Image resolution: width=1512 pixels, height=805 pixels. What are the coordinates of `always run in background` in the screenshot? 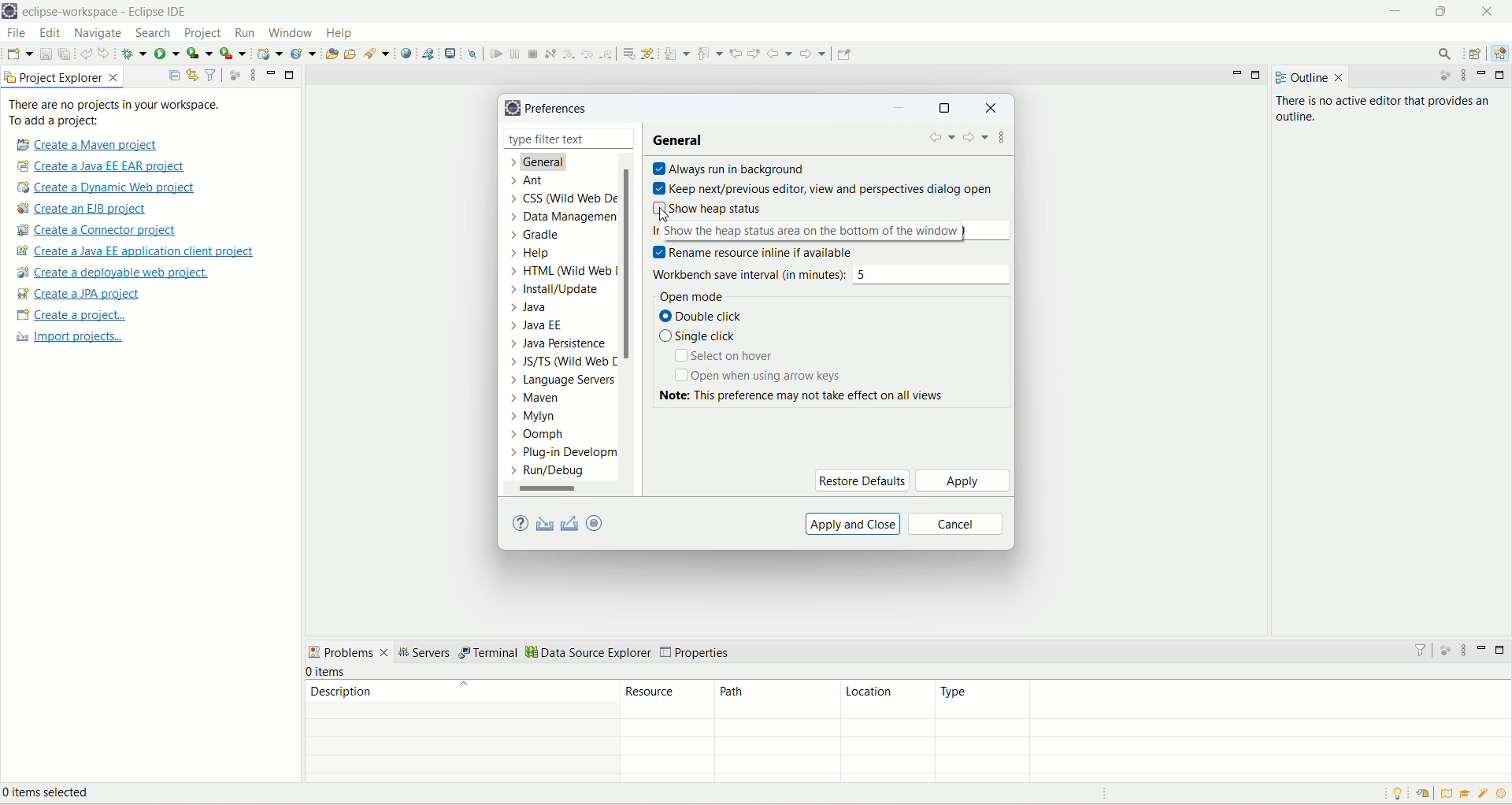 It's located at (733, 169).